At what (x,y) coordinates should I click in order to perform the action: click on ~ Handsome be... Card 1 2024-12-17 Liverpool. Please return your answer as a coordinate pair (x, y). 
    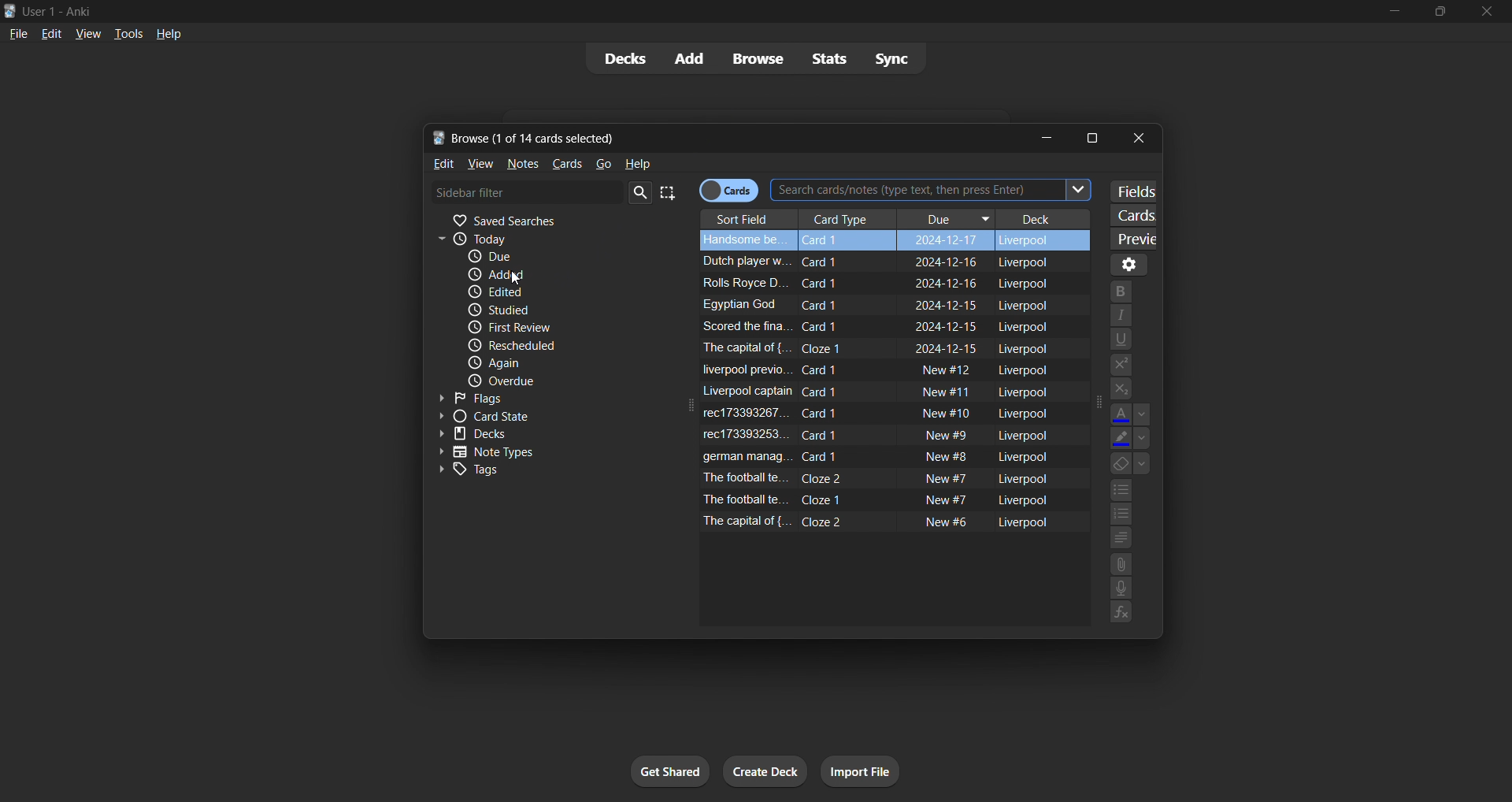
    Looking at the image, I should click on (890, 238).